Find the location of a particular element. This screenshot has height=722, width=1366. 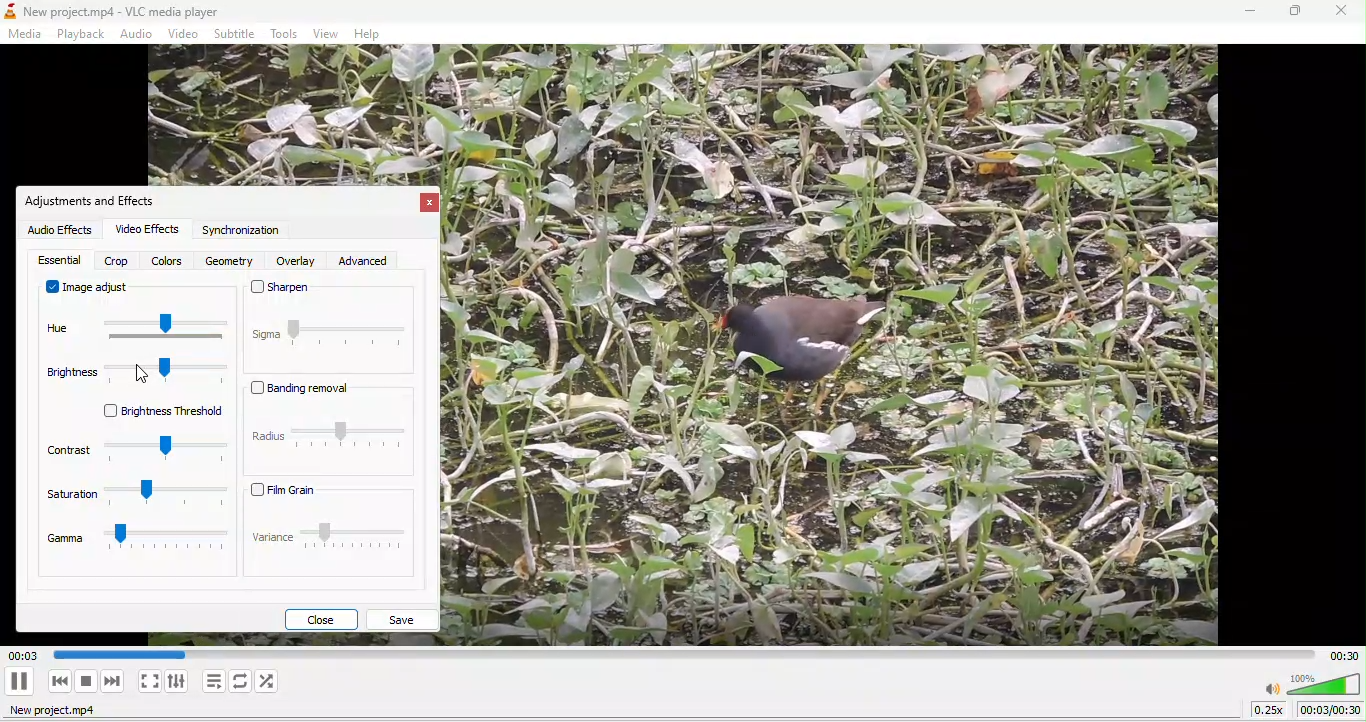

new project mp4 is located at coordinates (59, 712).